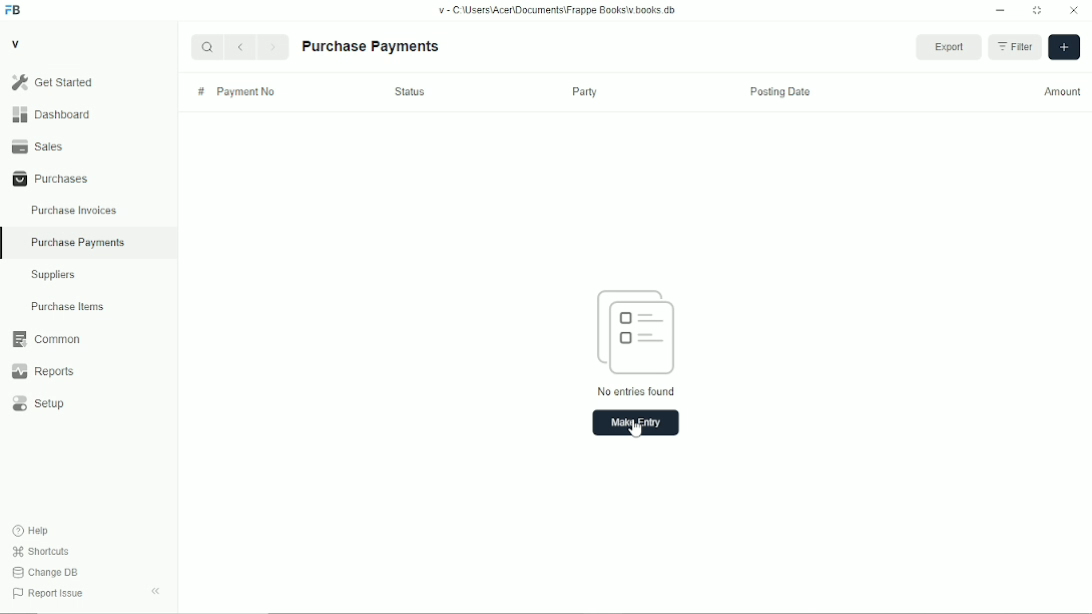  Describe the element at coordinates (274, 47) in the screenshot. I see `Next` at that location.